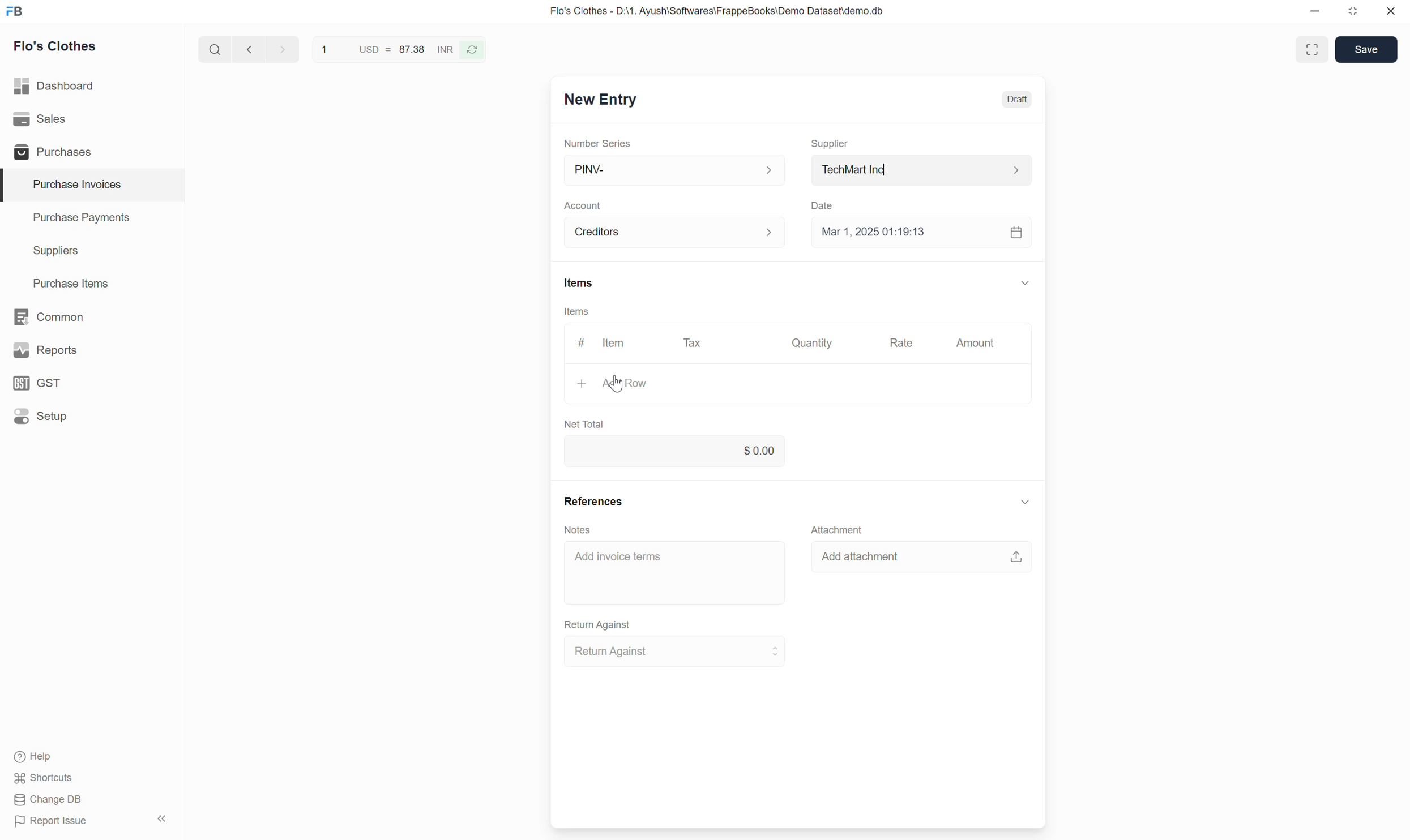 The height and width of the screenshot is (840, 1410). Describe the element at coordinates (65, 281) in the screenshot. I see `Purchase Items` at that location.